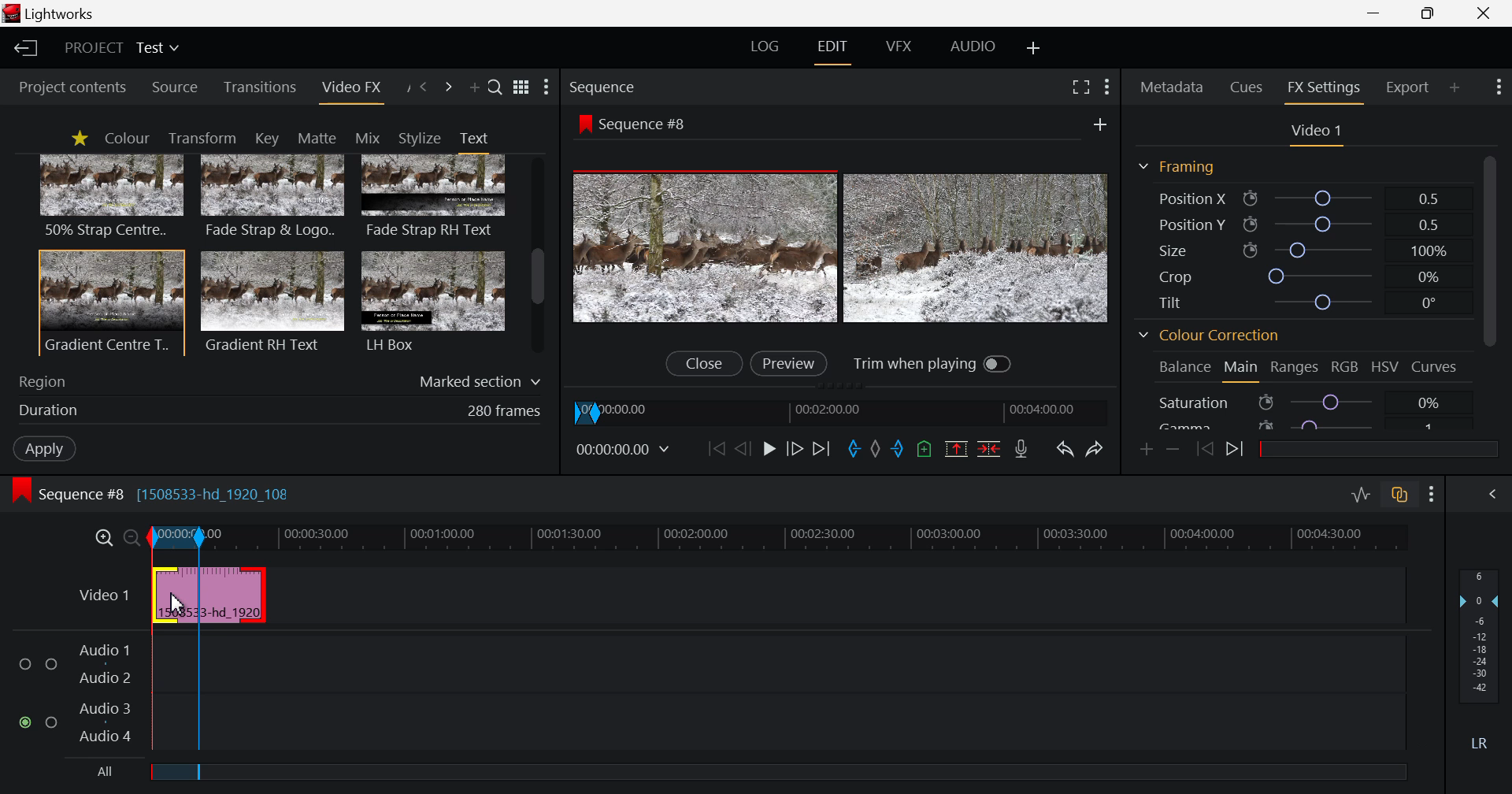  Describe the element at coordinates (269, 301) in the screenshot. I see `Gradient RH Text` at that location.